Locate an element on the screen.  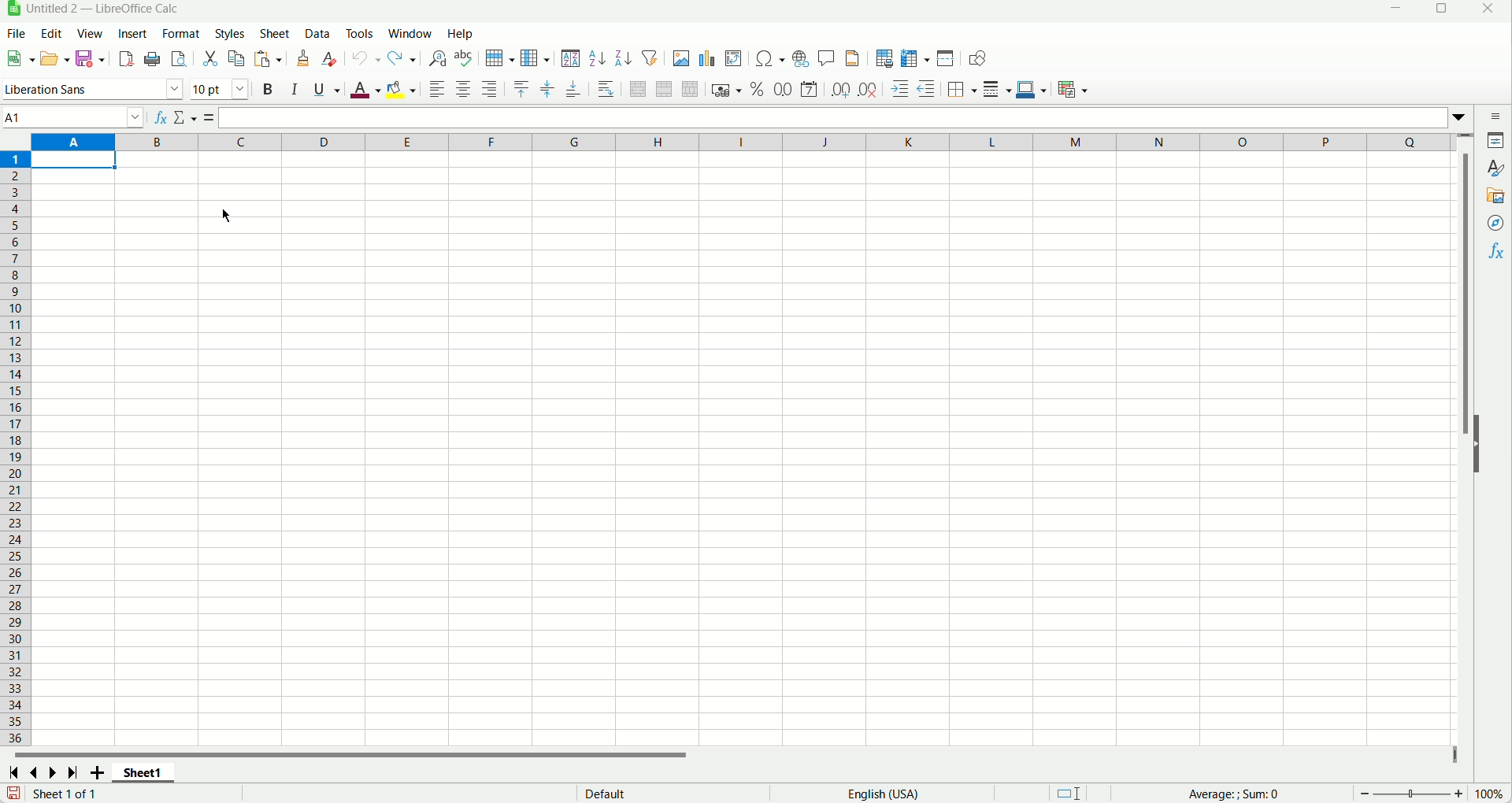
cursor is located at coordinates (224, 216).